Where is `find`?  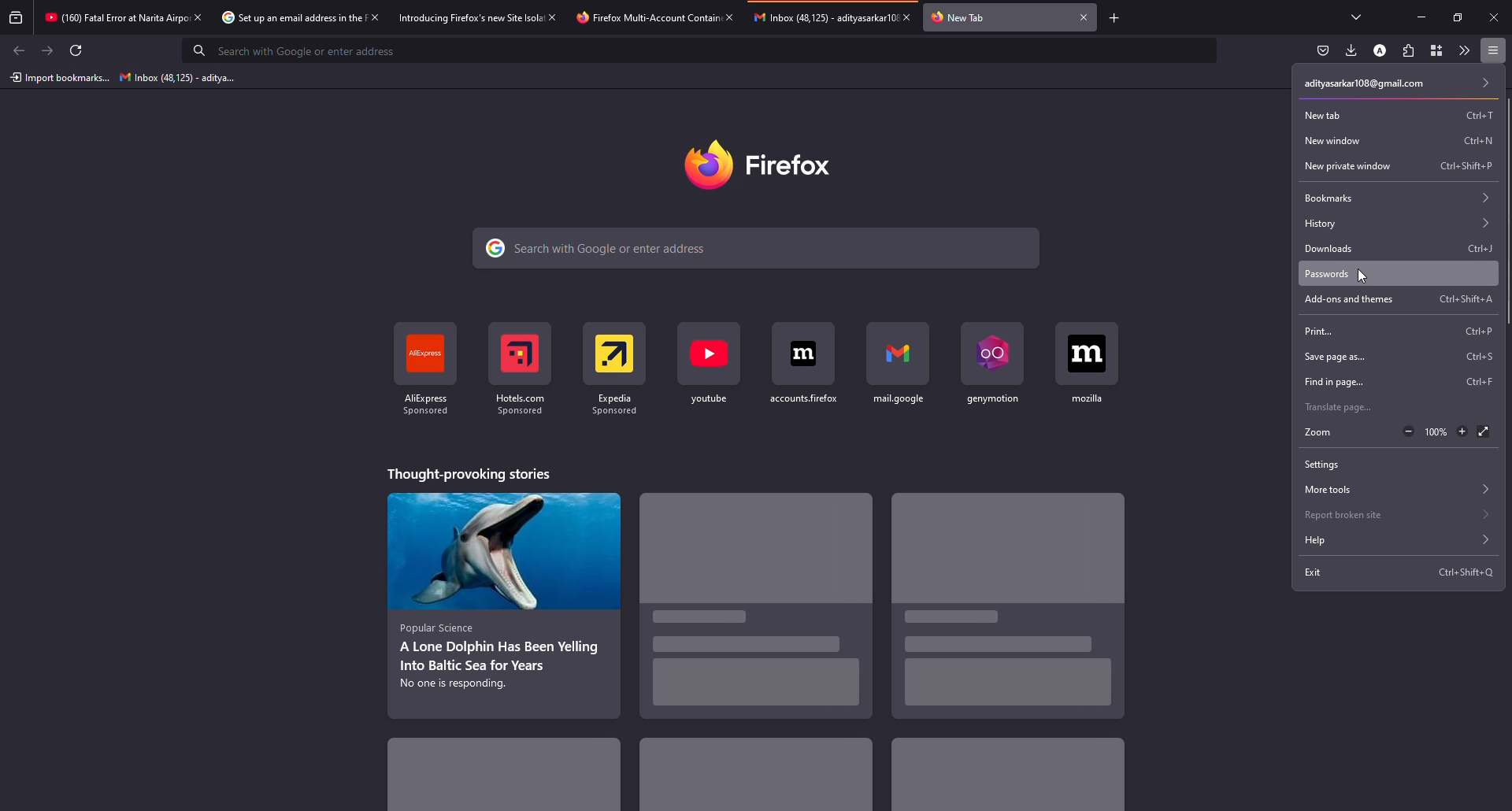 find is located at coordinates (1330, 383).